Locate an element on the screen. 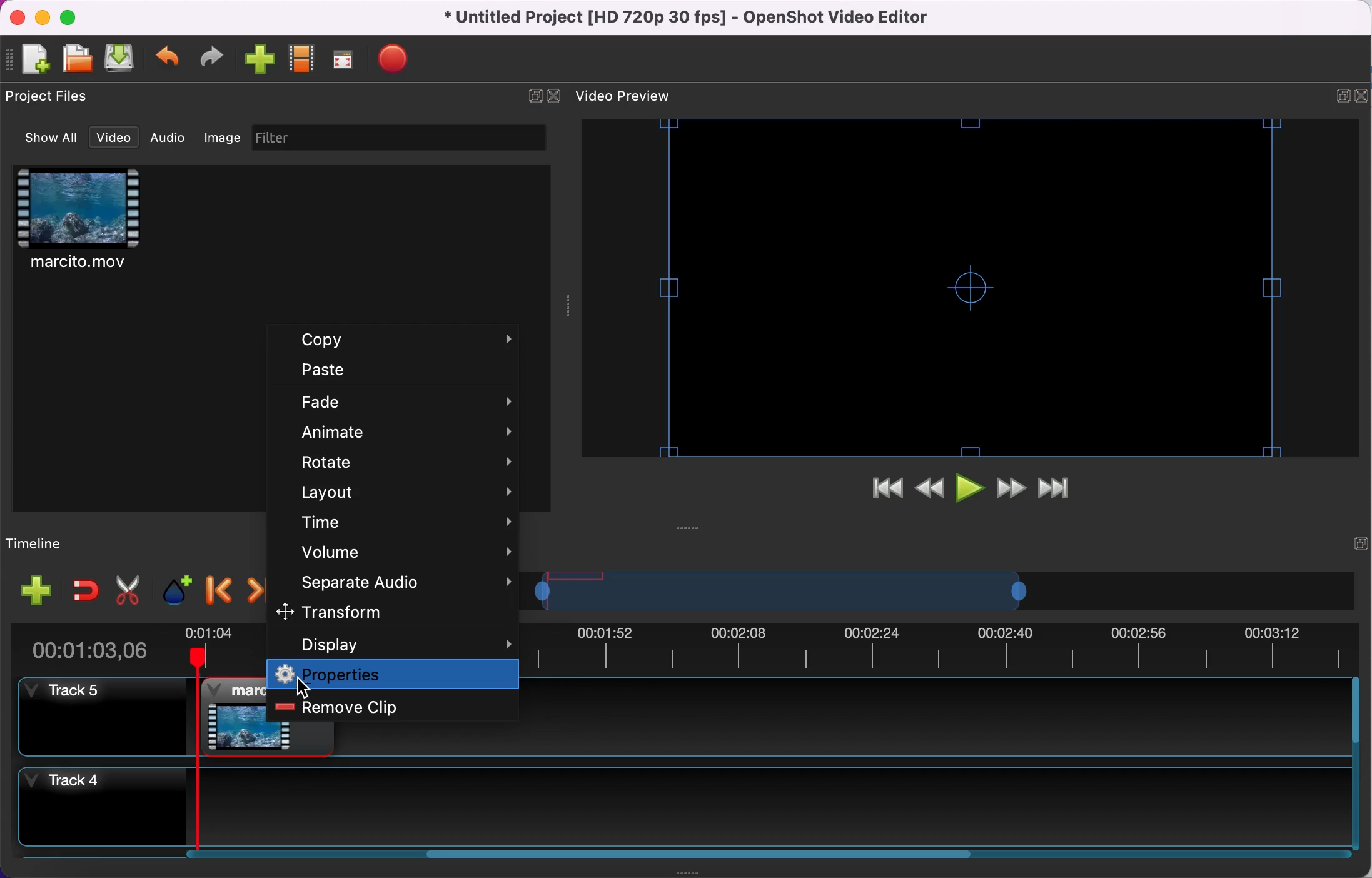 The width and height of the screenshot is (1372, 878). close is located at coordinates (1363, 96).